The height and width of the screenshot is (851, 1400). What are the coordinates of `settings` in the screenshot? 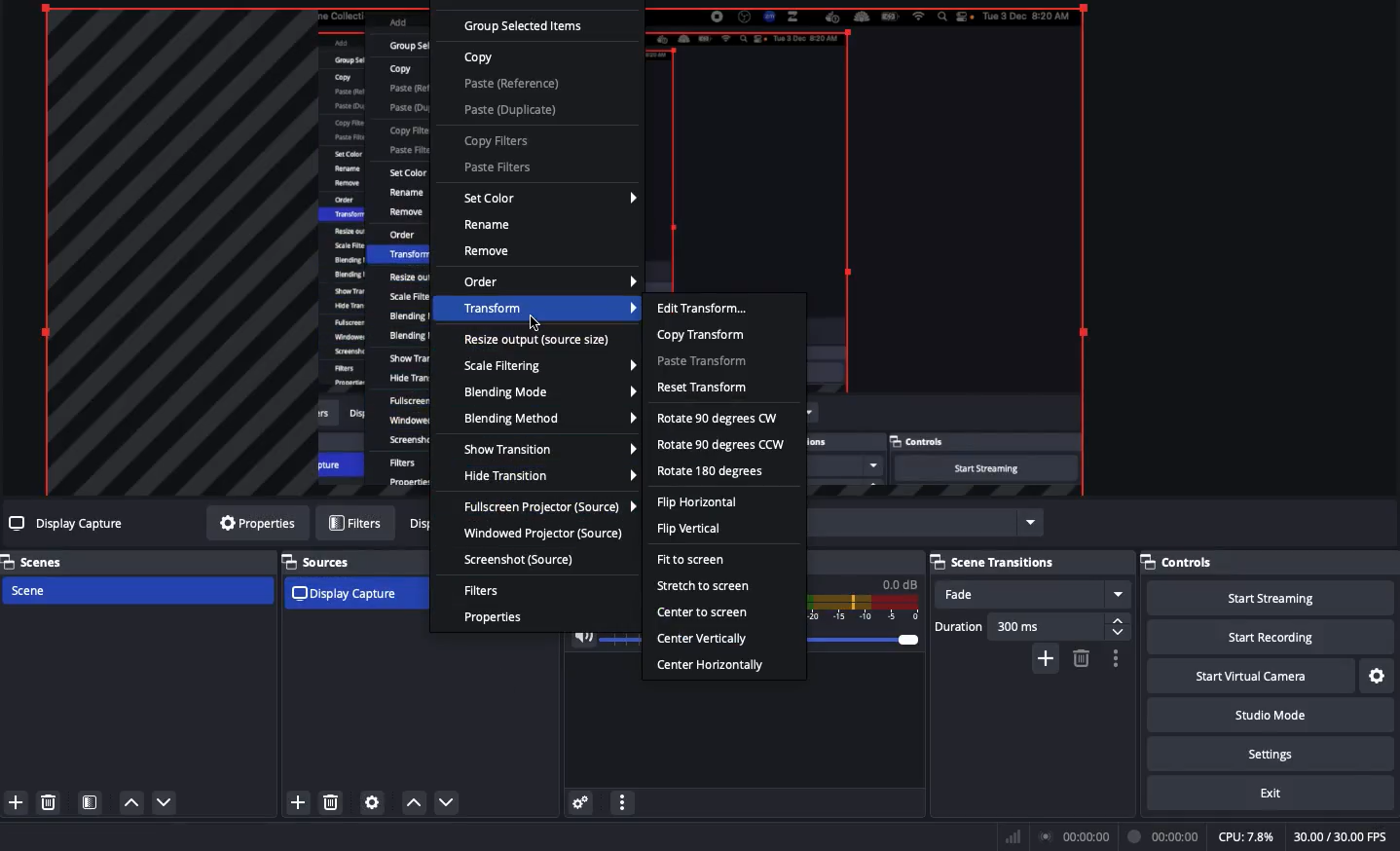 It's located at (373, 801).